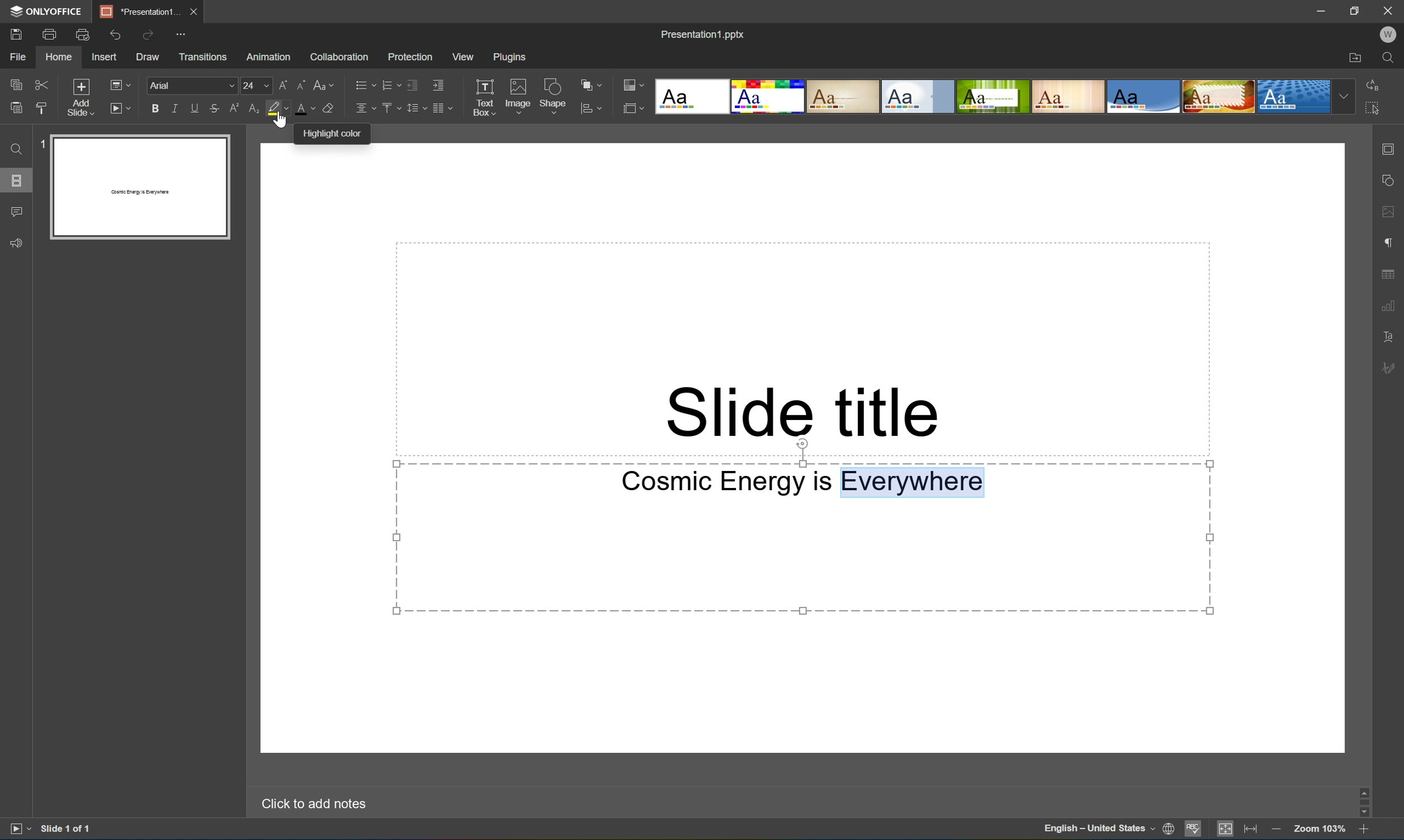  I want to click on Text art settings, so click(1389, 337).